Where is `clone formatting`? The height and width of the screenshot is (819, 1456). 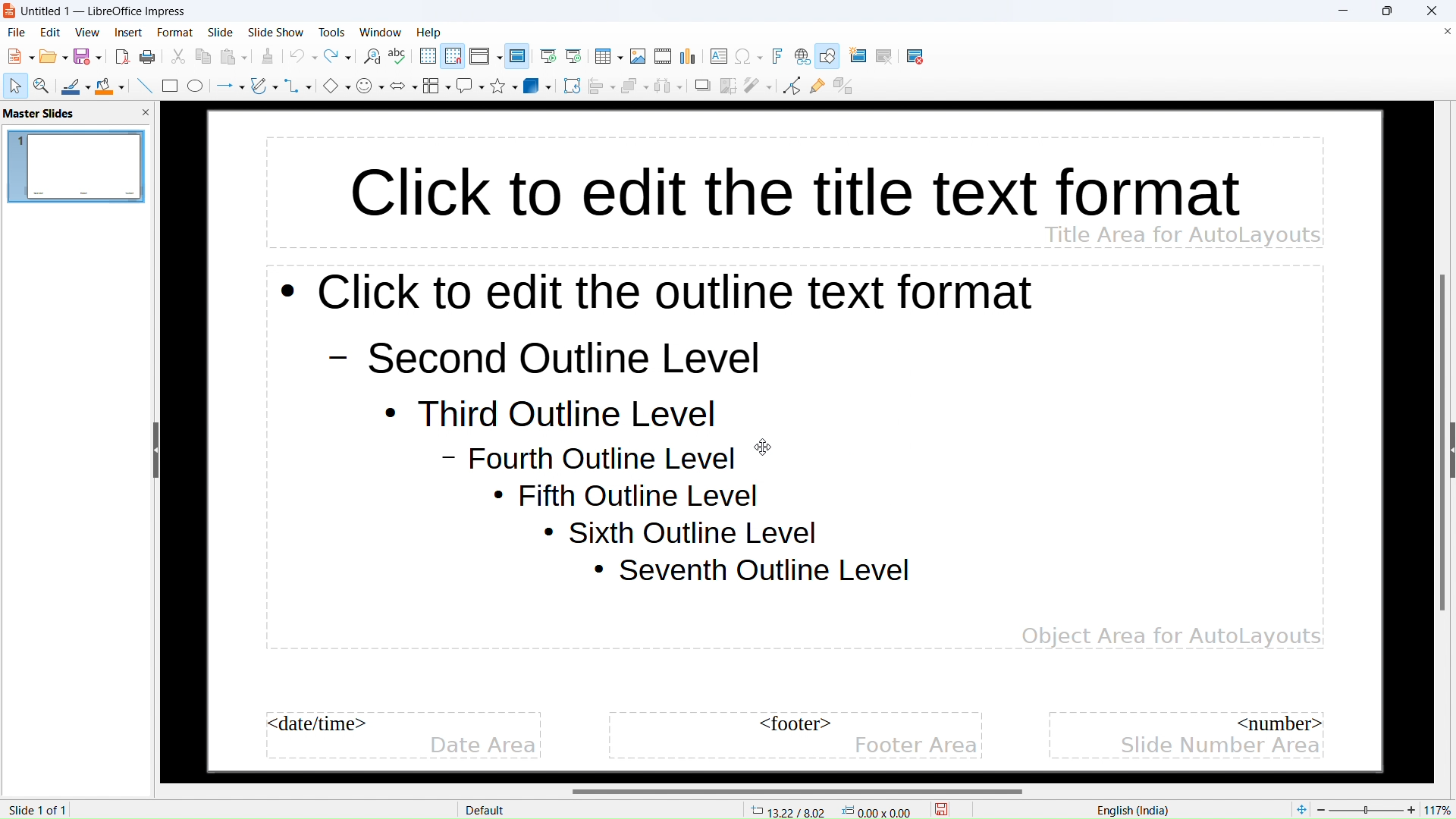
clone formatting is located at coordinates (268, 57).